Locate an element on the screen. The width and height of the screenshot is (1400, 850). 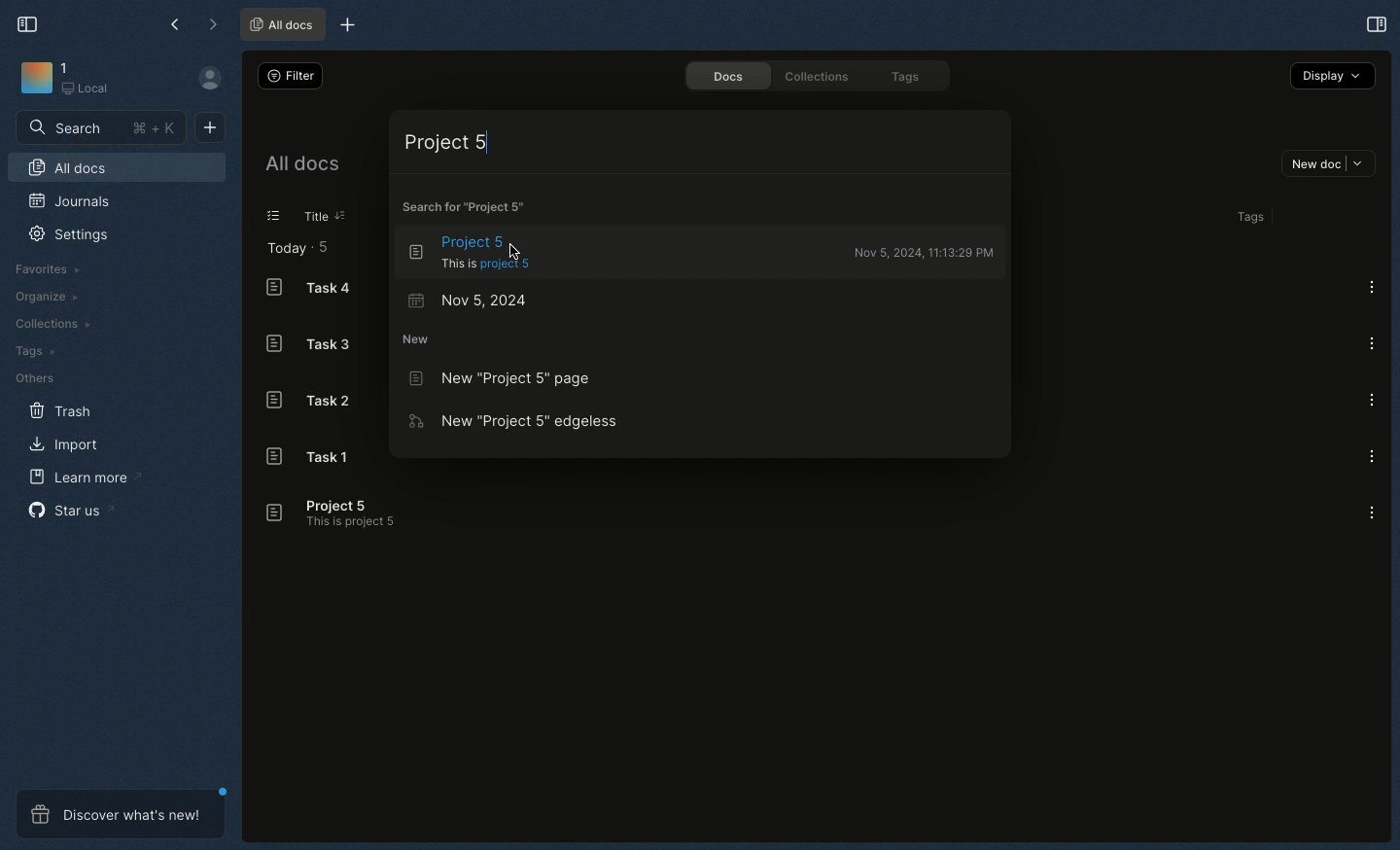
Collapse sidebar is located at coordinates (26, 22).